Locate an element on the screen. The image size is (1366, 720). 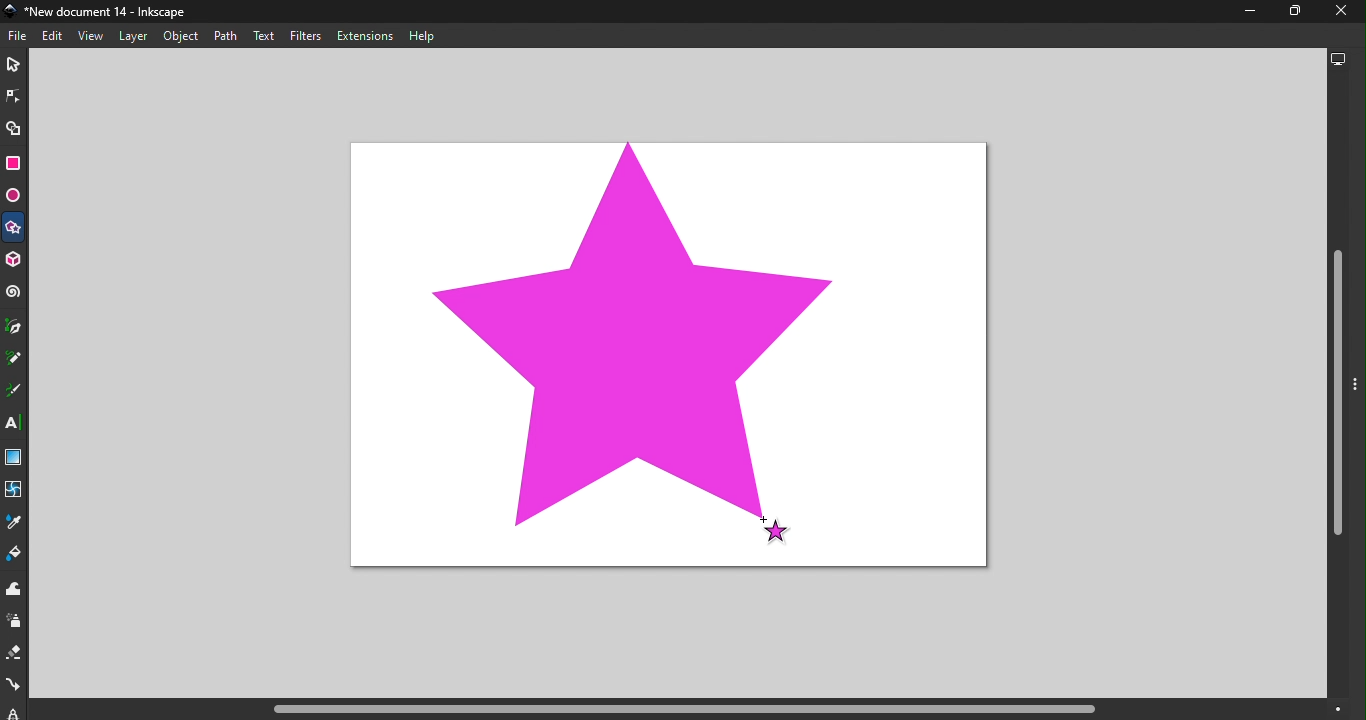
Maximize is located at coordinates (1289, 12).